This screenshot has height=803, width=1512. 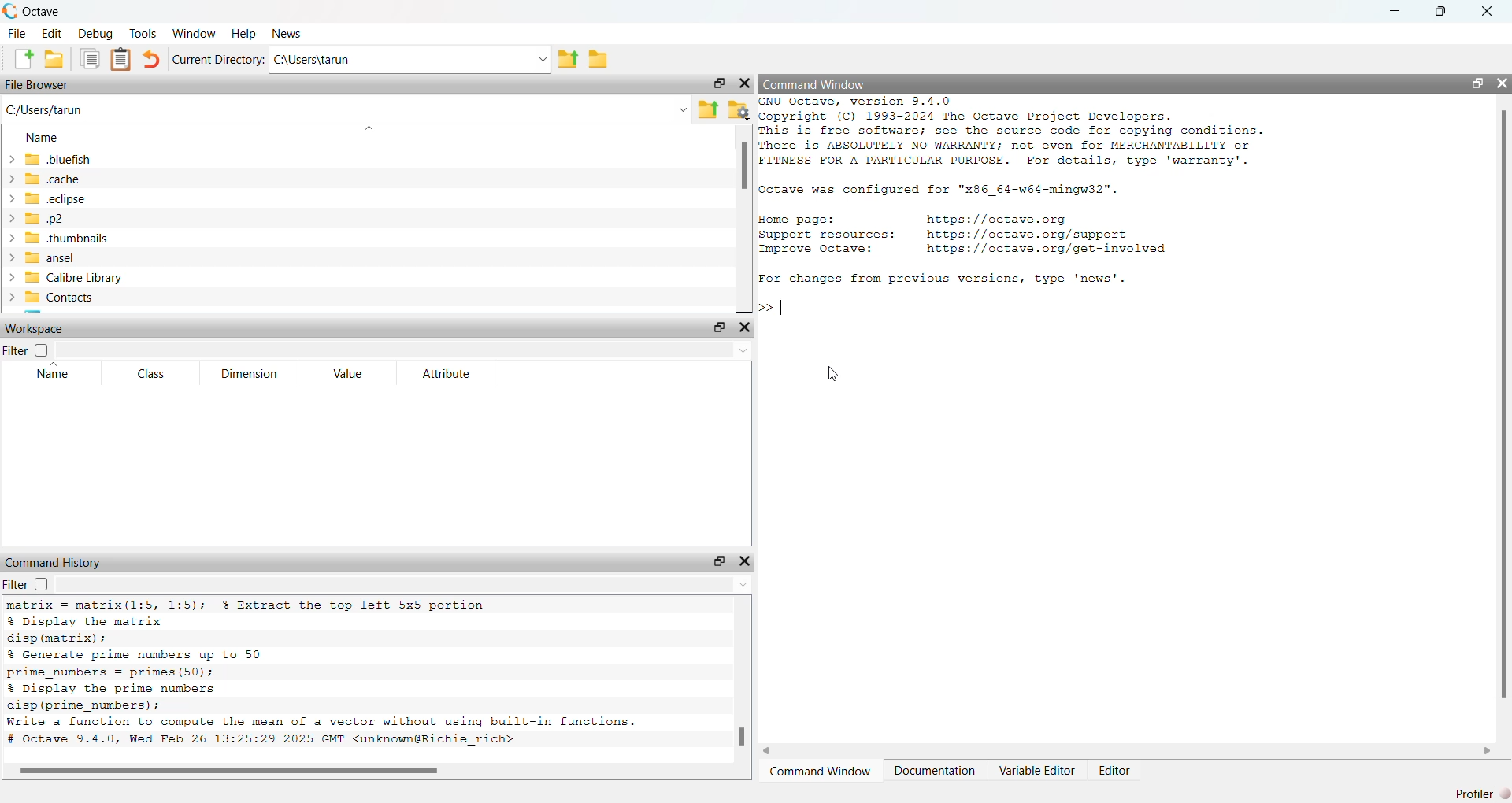 I want to click on .bluefish, so click(x=58, y=160).